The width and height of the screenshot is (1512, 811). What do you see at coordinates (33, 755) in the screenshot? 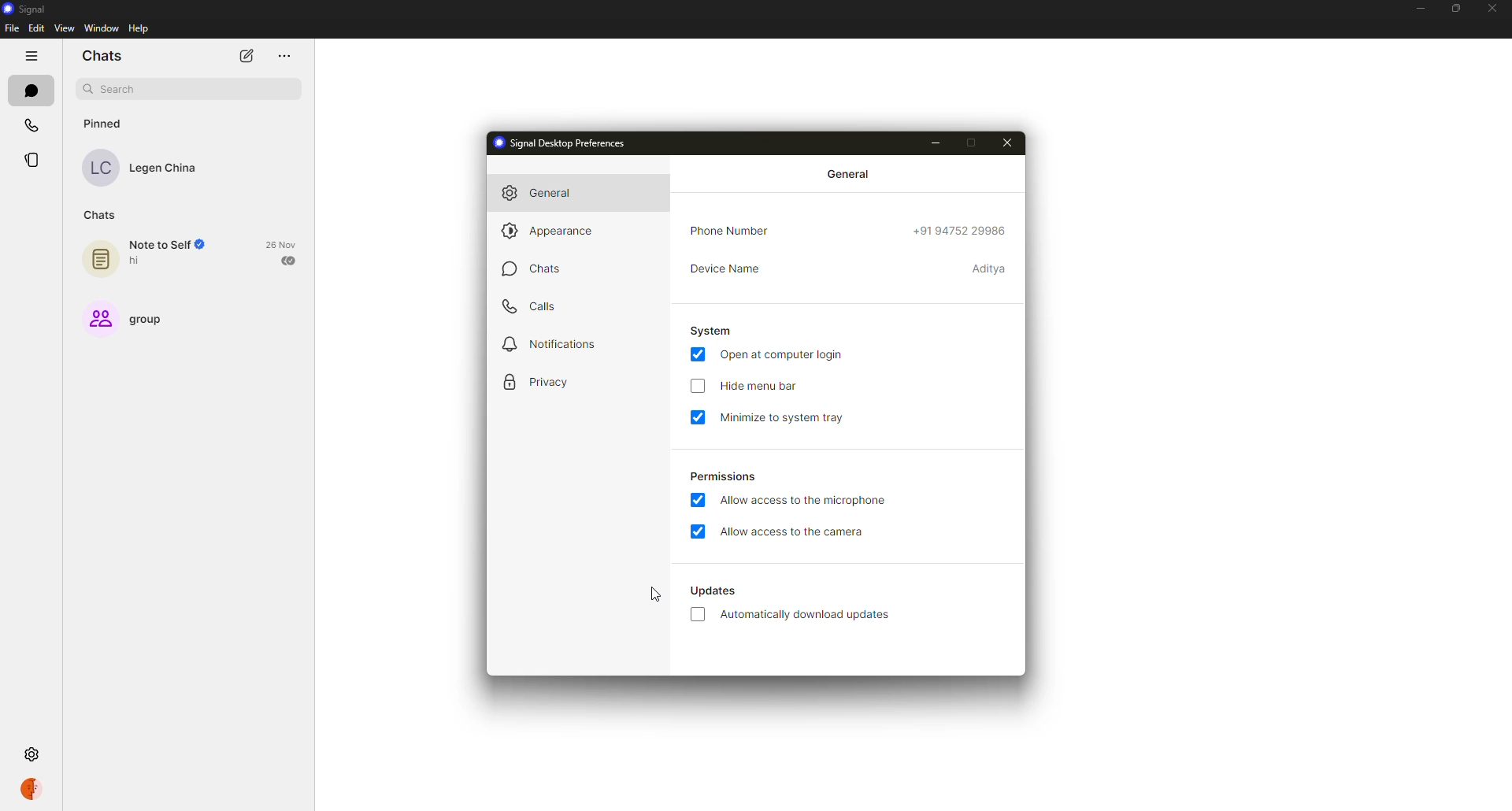
I see `settings` at bounding box center [33, 755].